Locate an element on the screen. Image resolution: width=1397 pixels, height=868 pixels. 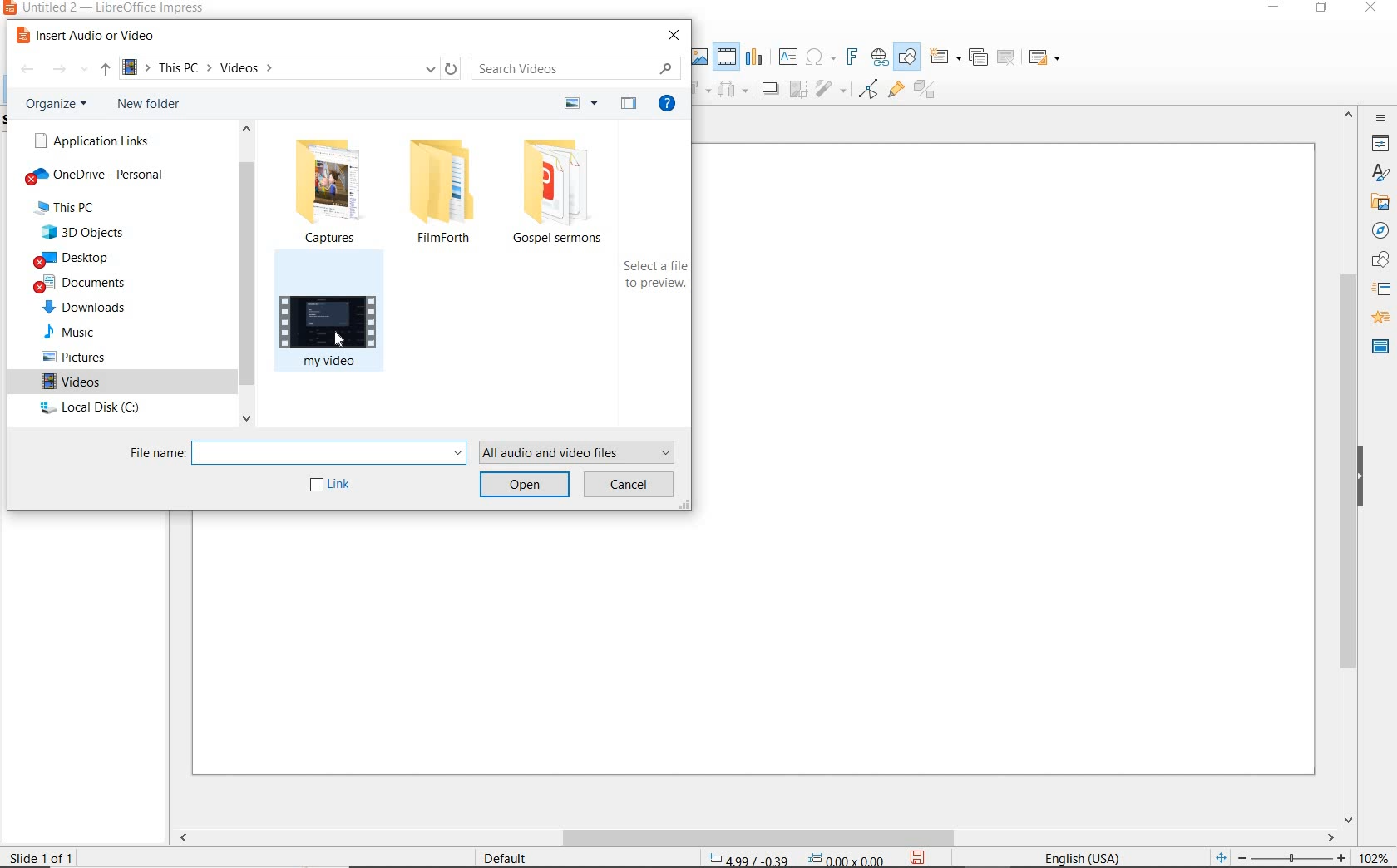
TEXT LANGUAGE is located at coordinates (1087, 855).